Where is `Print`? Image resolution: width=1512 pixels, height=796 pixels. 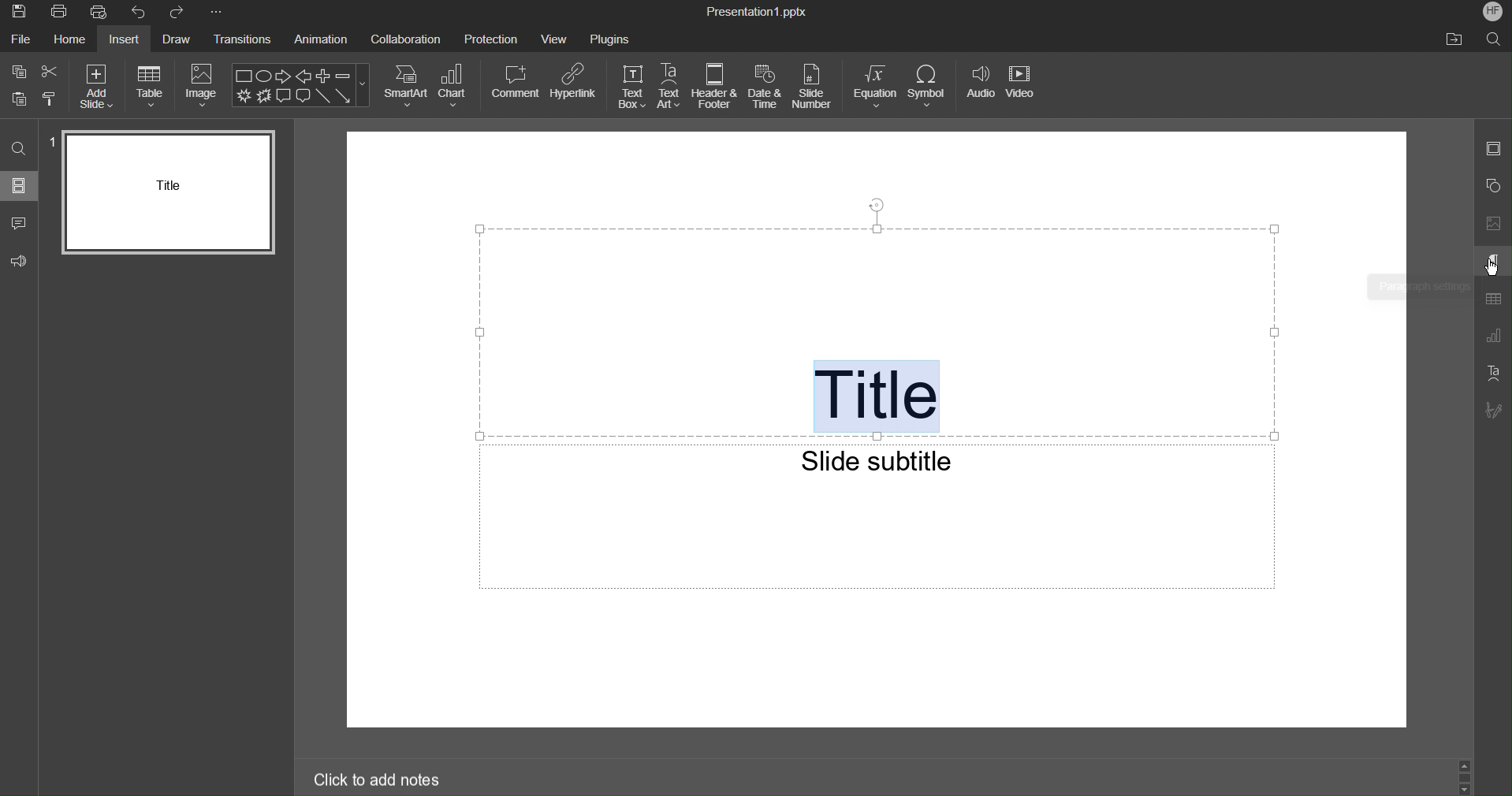 Print is located at coordinates (58, 13).